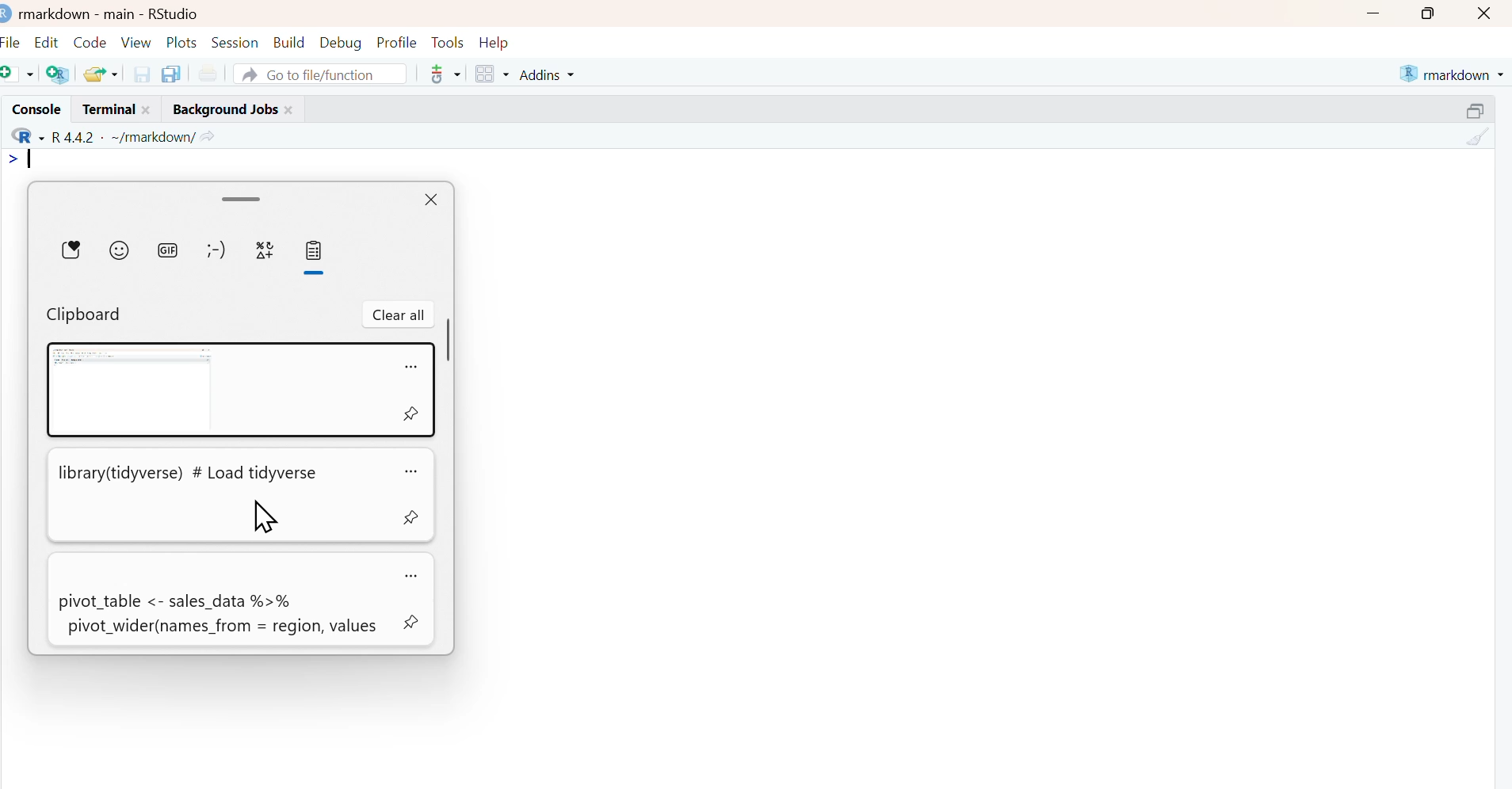 This screenshot has height=789, width=1512. I want to click on Profile, so click(396, 40).